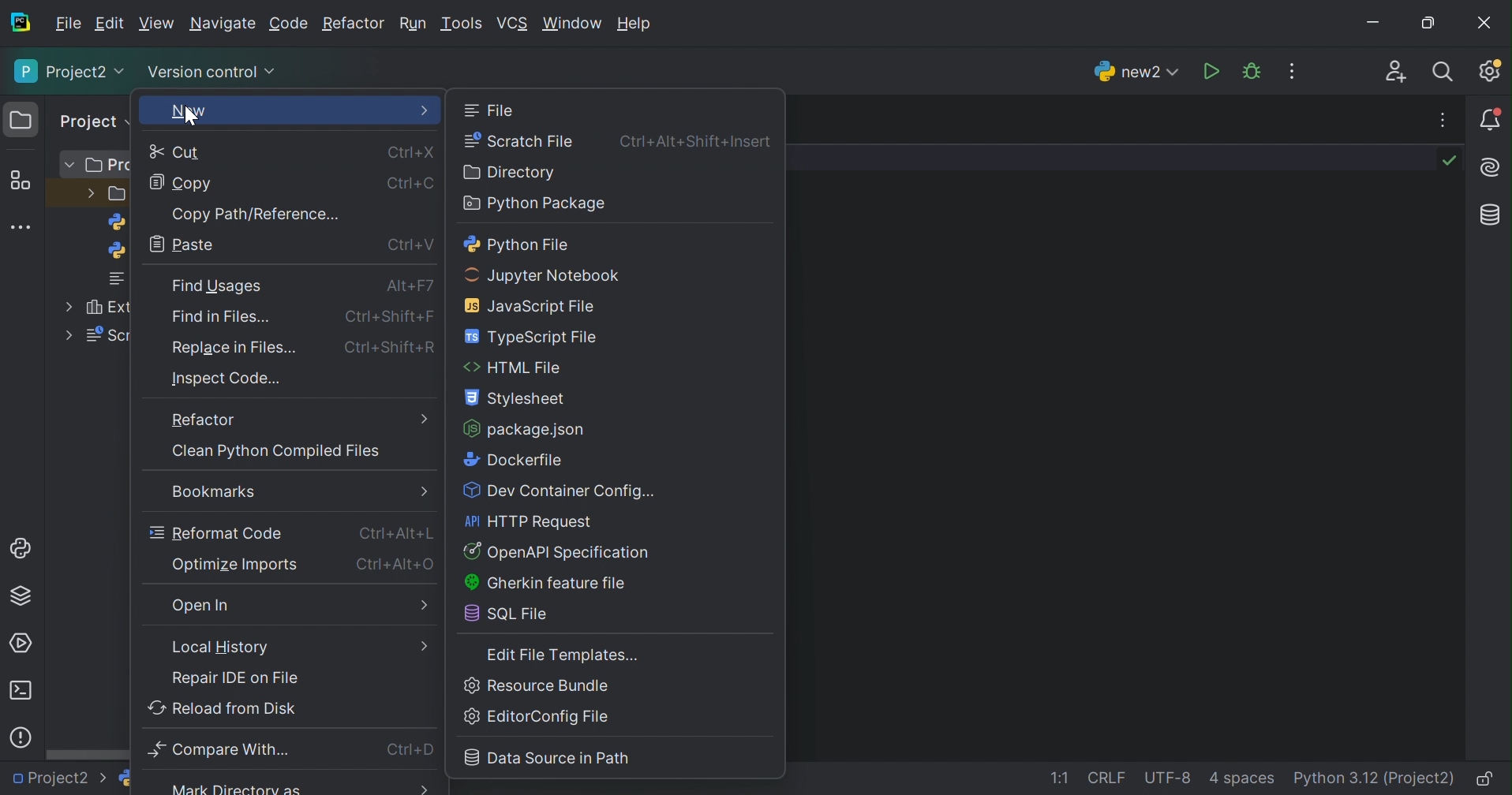  What do you see at coordinates (532, 338) in the screenshot?
I see `Typescript` at bounding box center [532, 338].